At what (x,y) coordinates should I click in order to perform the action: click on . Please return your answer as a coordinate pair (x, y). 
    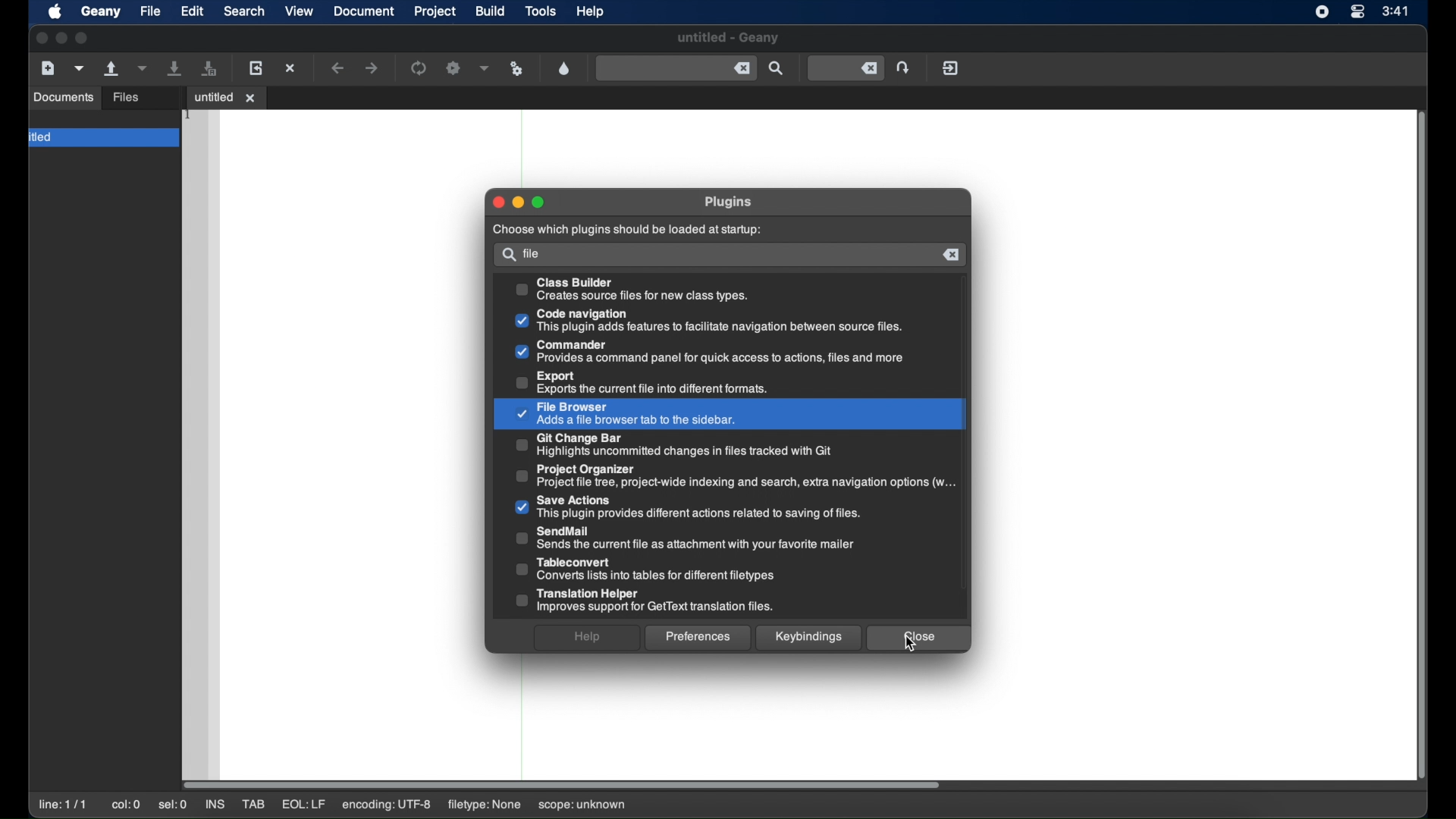
    Looking at the image, I should click on (635, 290).